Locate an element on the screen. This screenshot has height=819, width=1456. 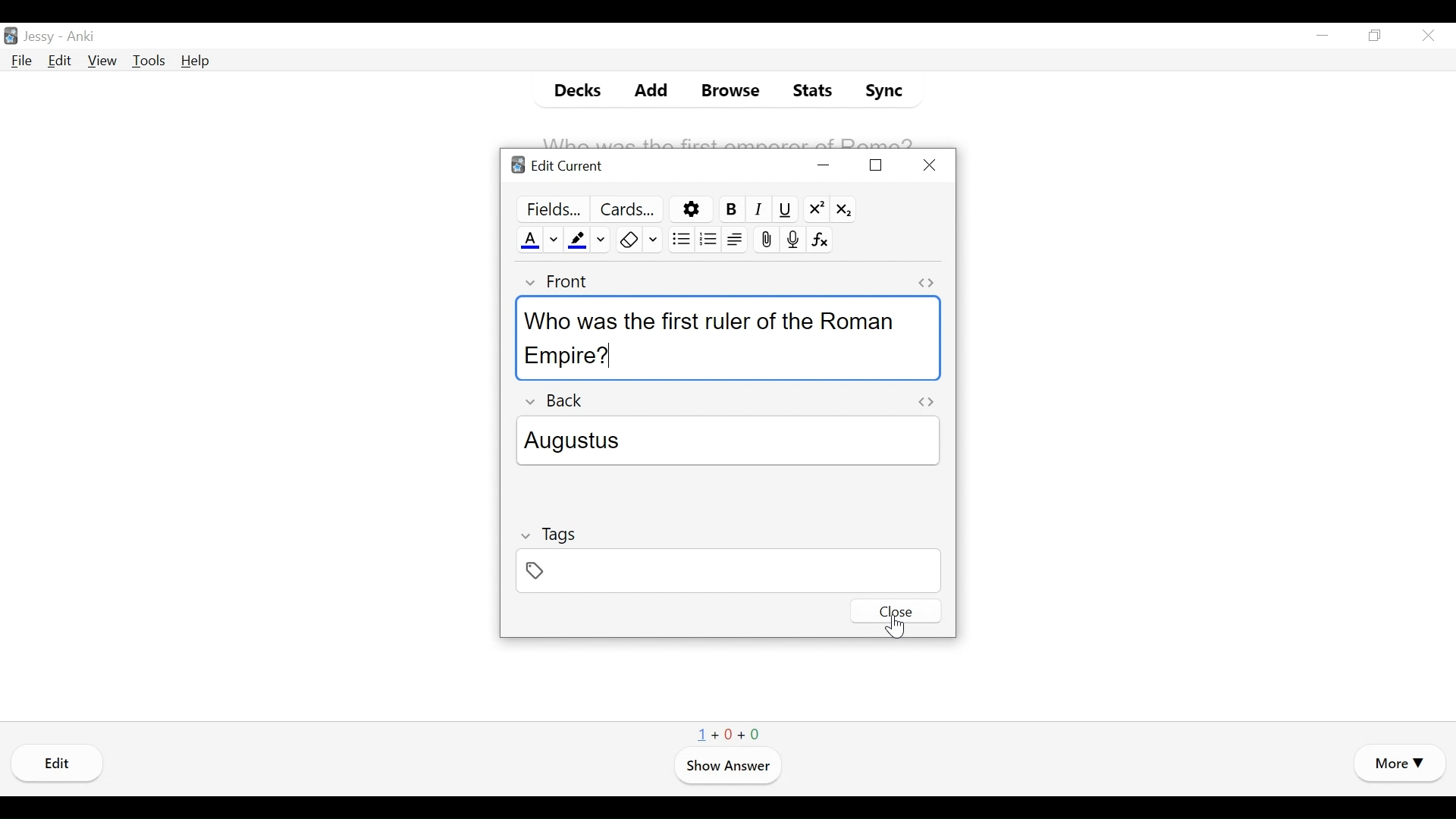
Select Formatting to Remove is located at coordinates (653, 240).